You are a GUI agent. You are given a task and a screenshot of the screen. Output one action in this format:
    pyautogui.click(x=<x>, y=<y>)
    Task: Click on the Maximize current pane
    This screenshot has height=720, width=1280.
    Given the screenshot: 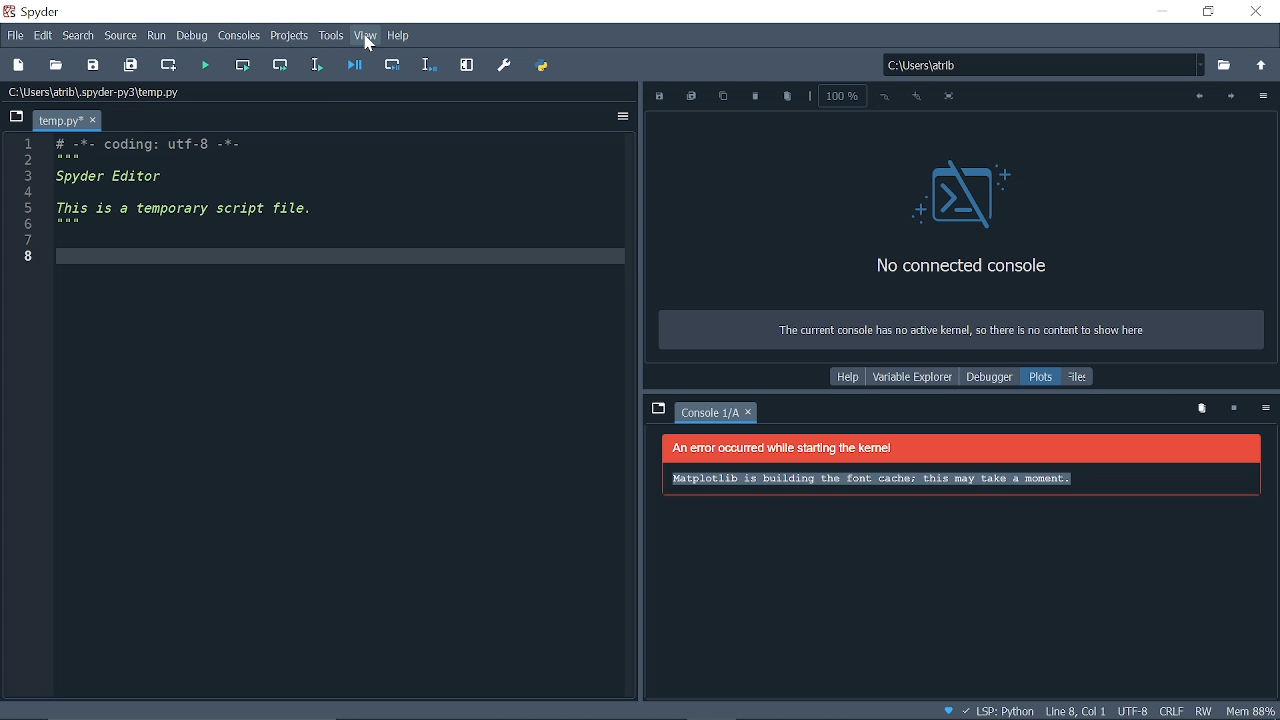 What is the action you would take?
    pyautogui.click(x=467, y=65)
    